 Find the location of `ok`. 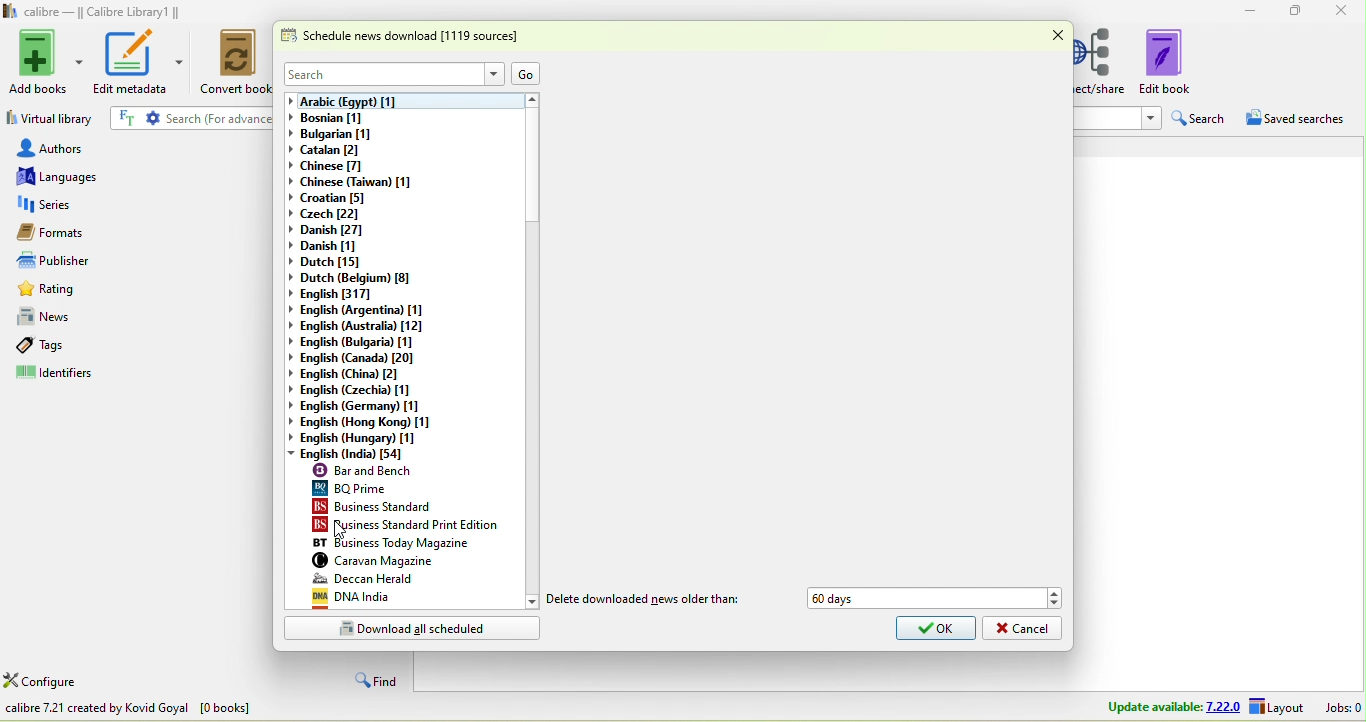

ok is located at coordinates (936, 628).